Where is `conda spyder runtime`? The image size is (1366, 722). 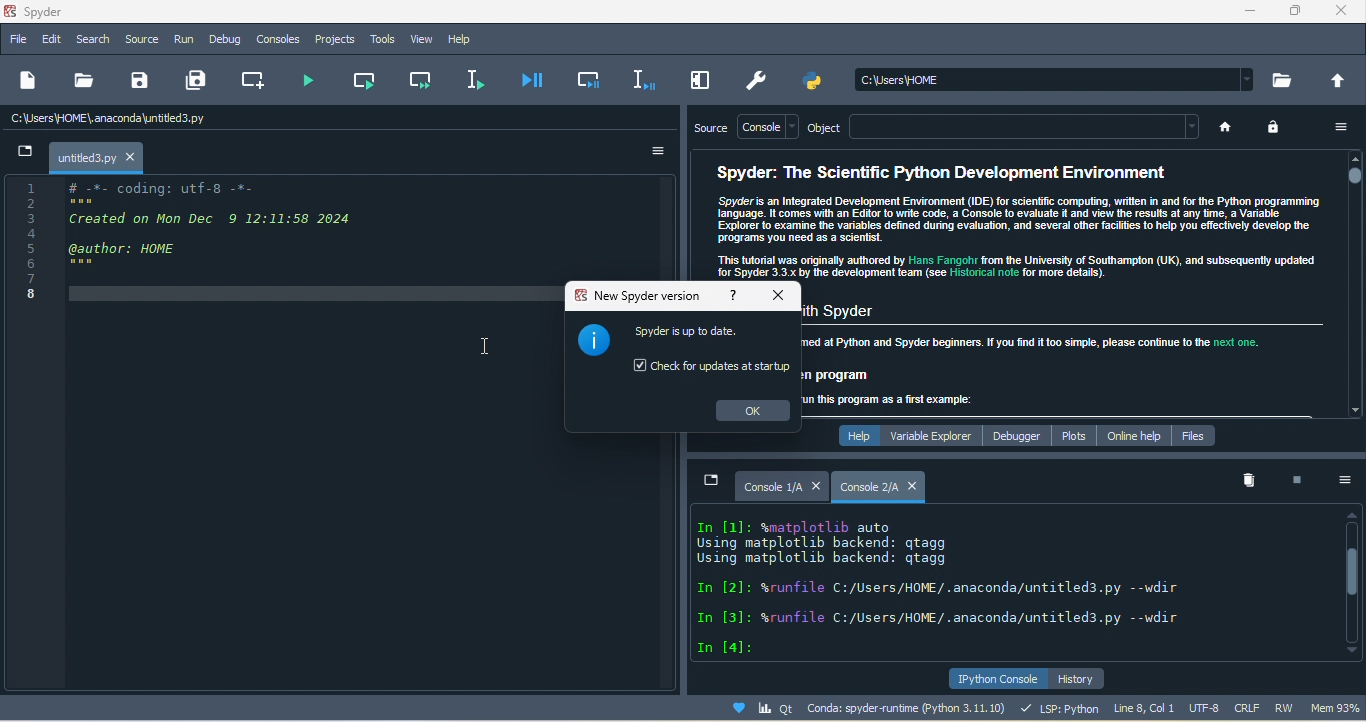 conda spyder runtime is located at coordinates (855, 709).